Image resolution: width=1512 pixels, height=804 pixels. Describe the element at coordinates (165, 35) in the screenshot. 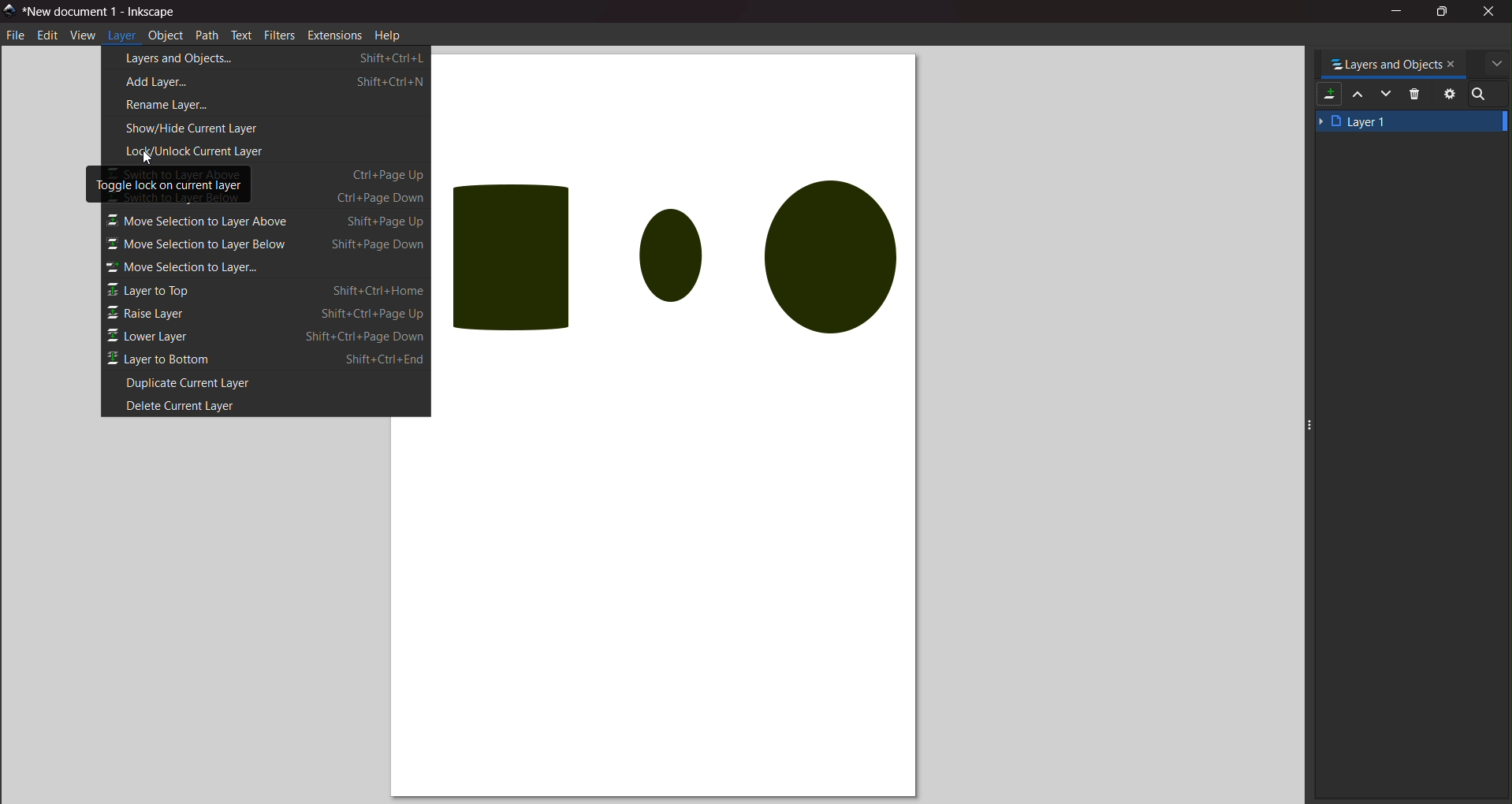

I see `object` at that location.